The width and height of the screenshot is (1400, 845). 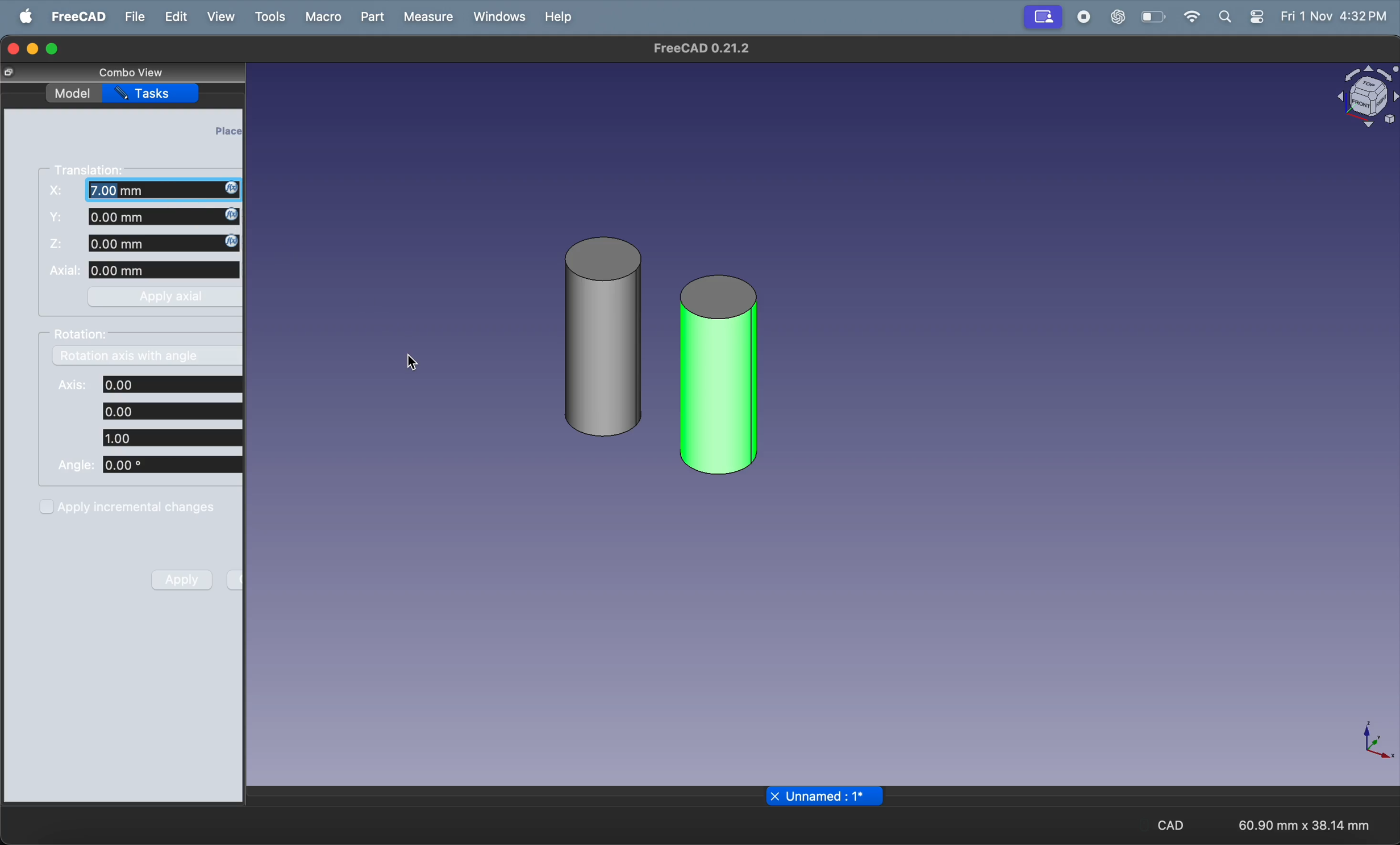 I want to click on object view, so click(x=1367, y=97).